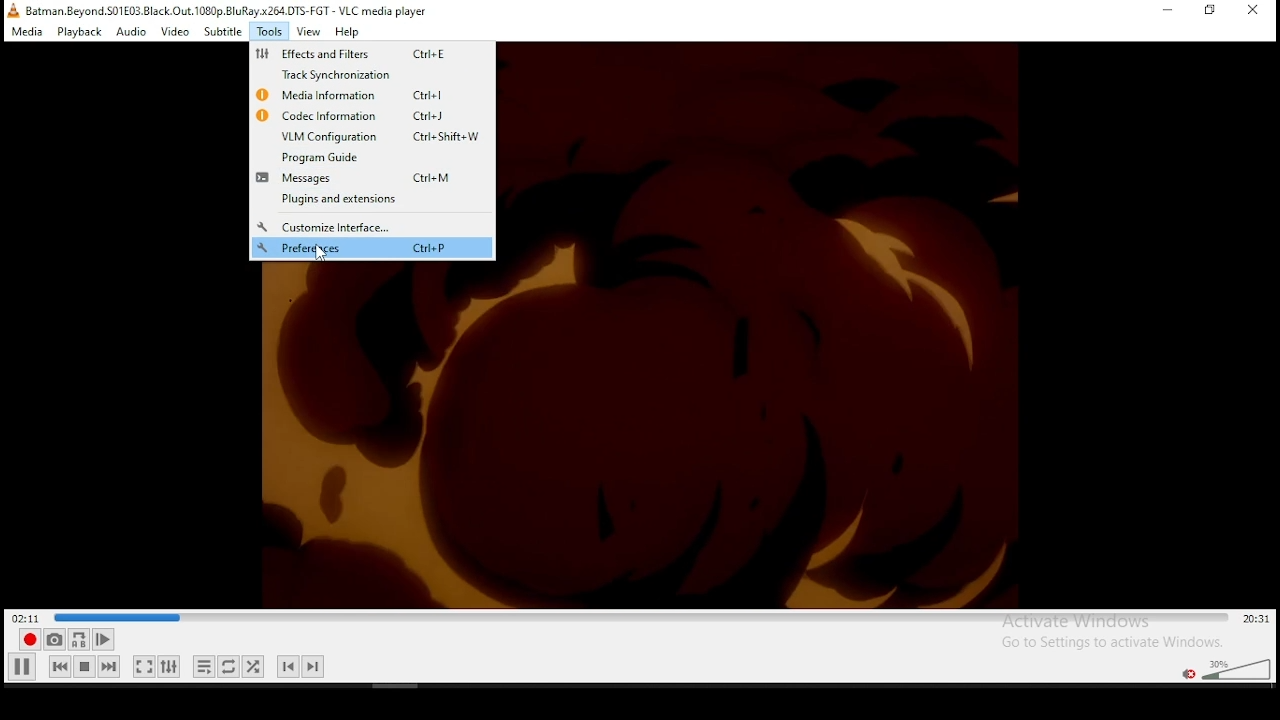 Image resolution: width=1280 pixels, height=720 pixels. What do you see at coordinates (338, 199) in the screenshot?
I see `plugins and extensions` at bounding box center [338, 199].